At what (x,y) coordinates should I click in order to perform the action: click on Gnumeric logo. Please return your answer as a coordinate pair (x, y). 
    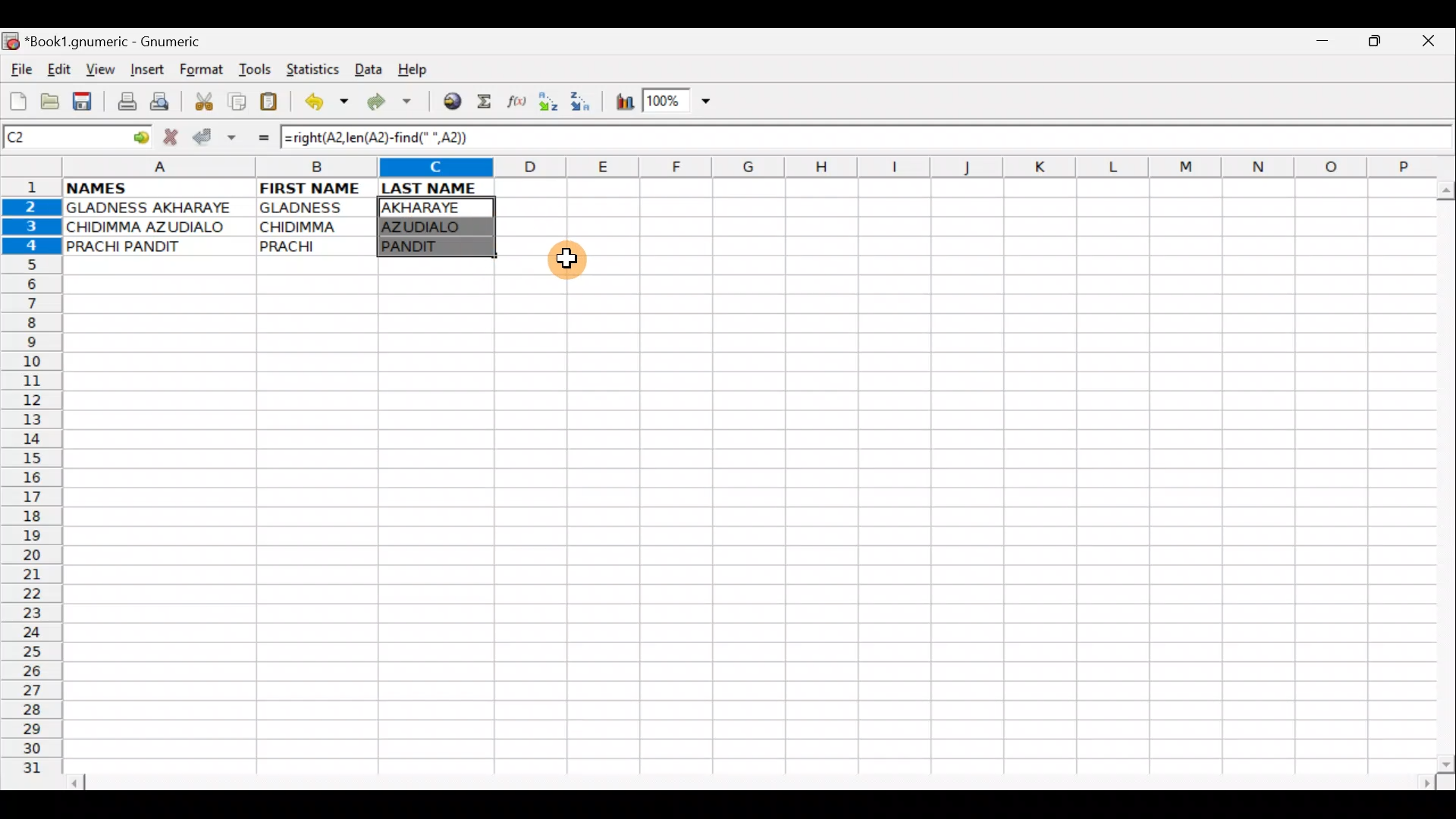
    Looking at the image, I should click on (11, 42).